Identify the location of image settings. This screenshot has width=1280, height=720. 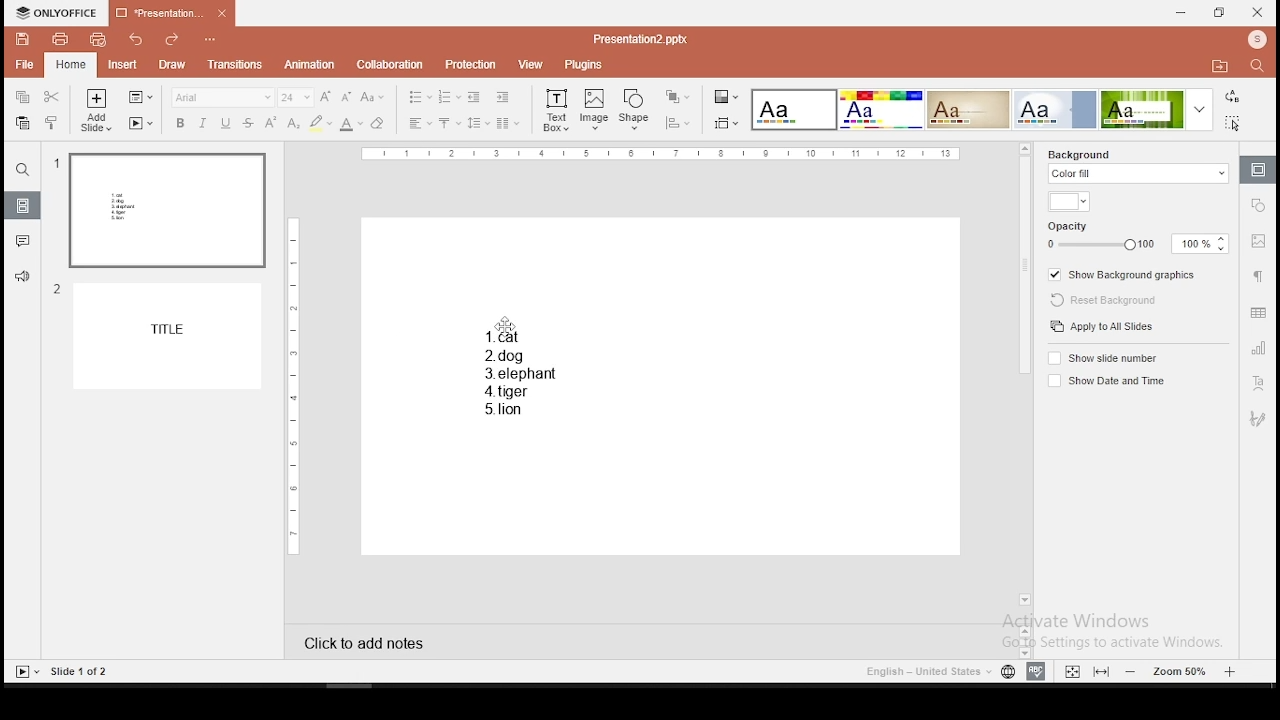
(1258, 240).